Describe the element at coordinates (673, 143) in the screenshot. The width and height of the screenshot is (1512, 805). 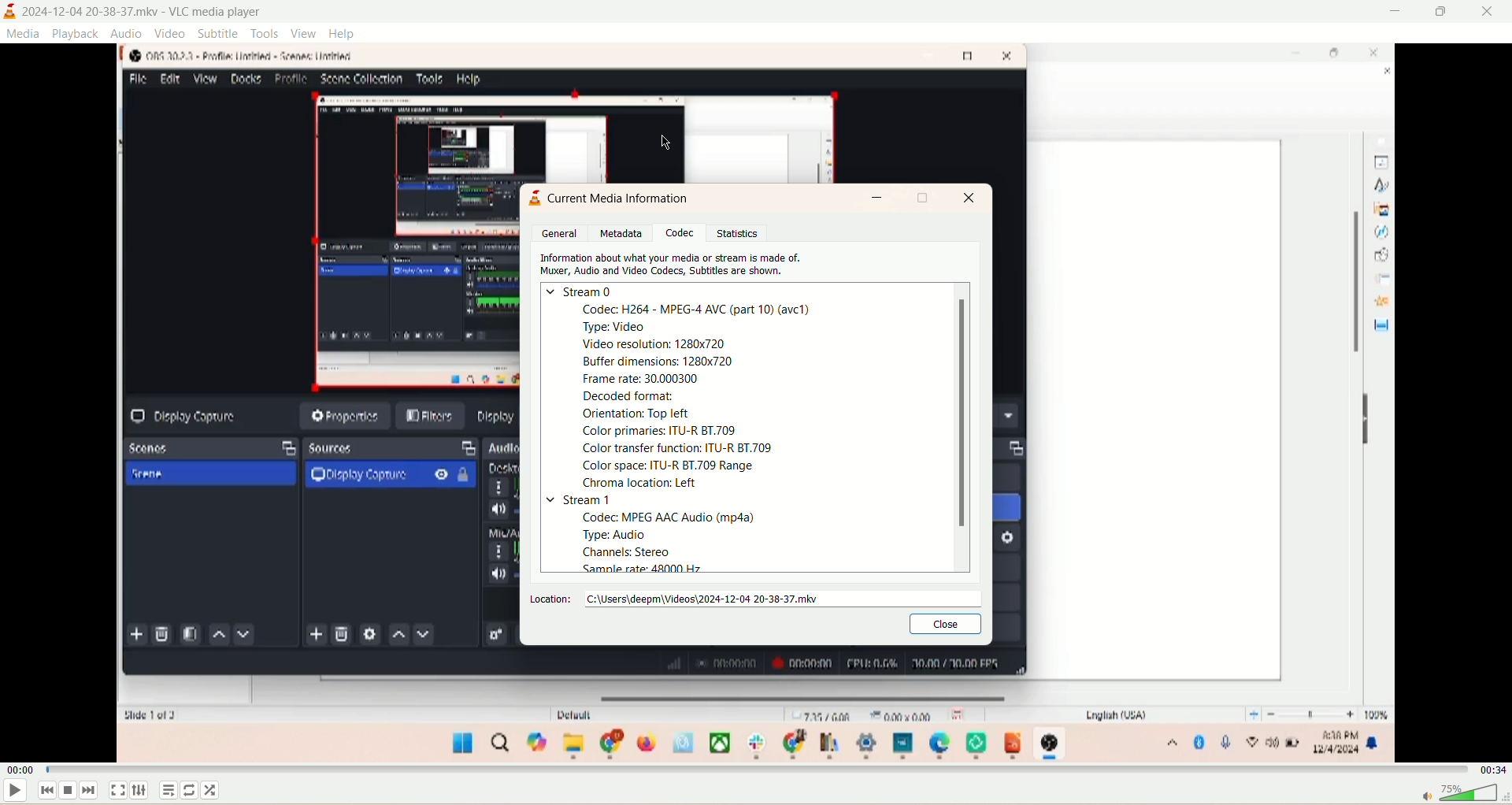
I see `cursor` at that location.